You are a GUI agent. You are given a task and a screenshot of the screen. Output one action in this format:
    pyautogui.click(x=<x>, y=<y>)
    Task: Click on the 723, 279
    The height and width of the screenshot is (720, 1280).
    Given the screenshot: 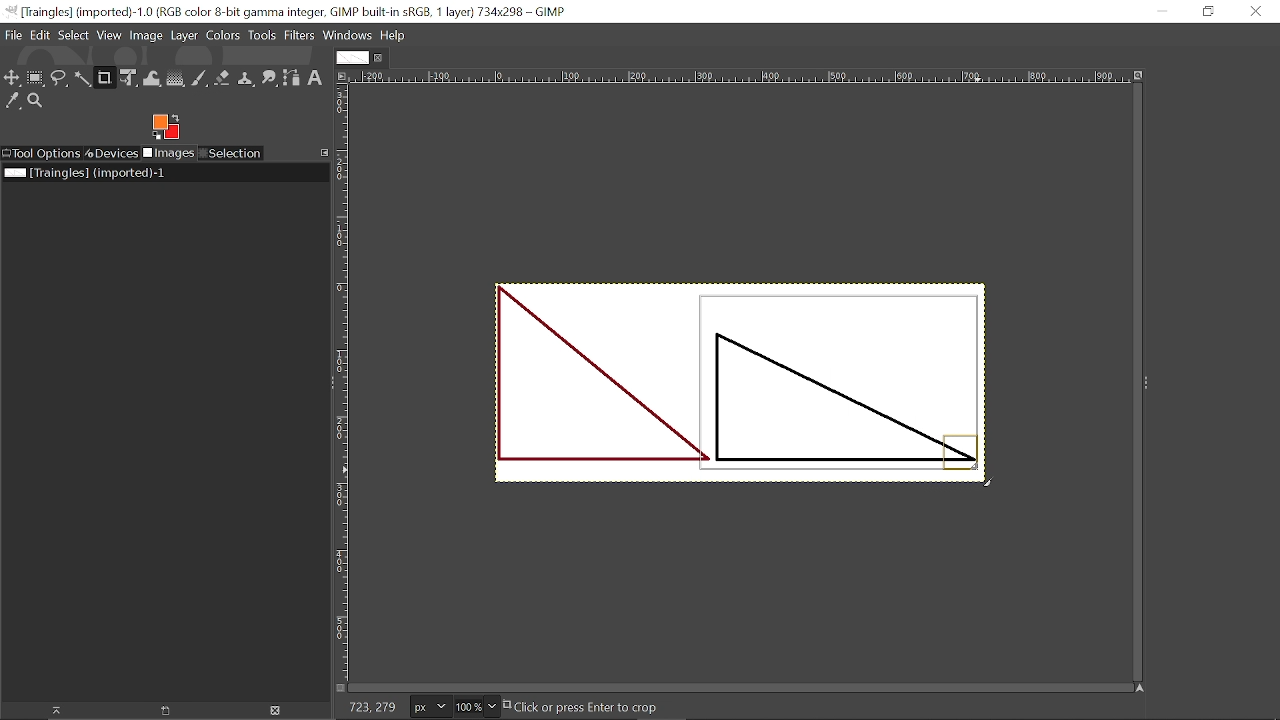 What is the action you would take?
    pyautogui.click(x=370, y=709)
    